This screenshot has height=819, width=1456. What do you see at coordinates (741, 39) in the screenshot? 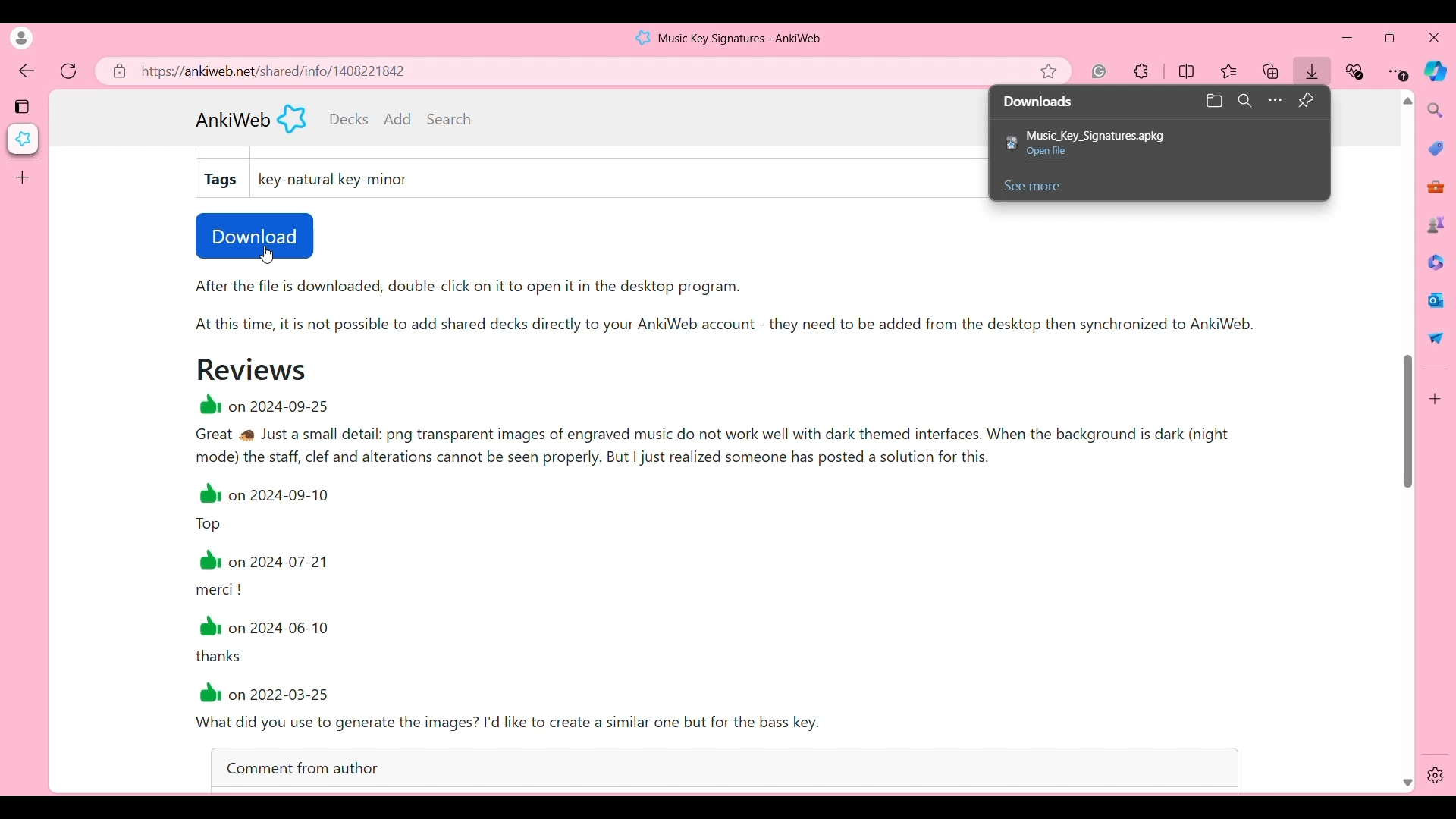
I see `Music Key Signatures - AnkiWeb` at bounding box center [741, 39].